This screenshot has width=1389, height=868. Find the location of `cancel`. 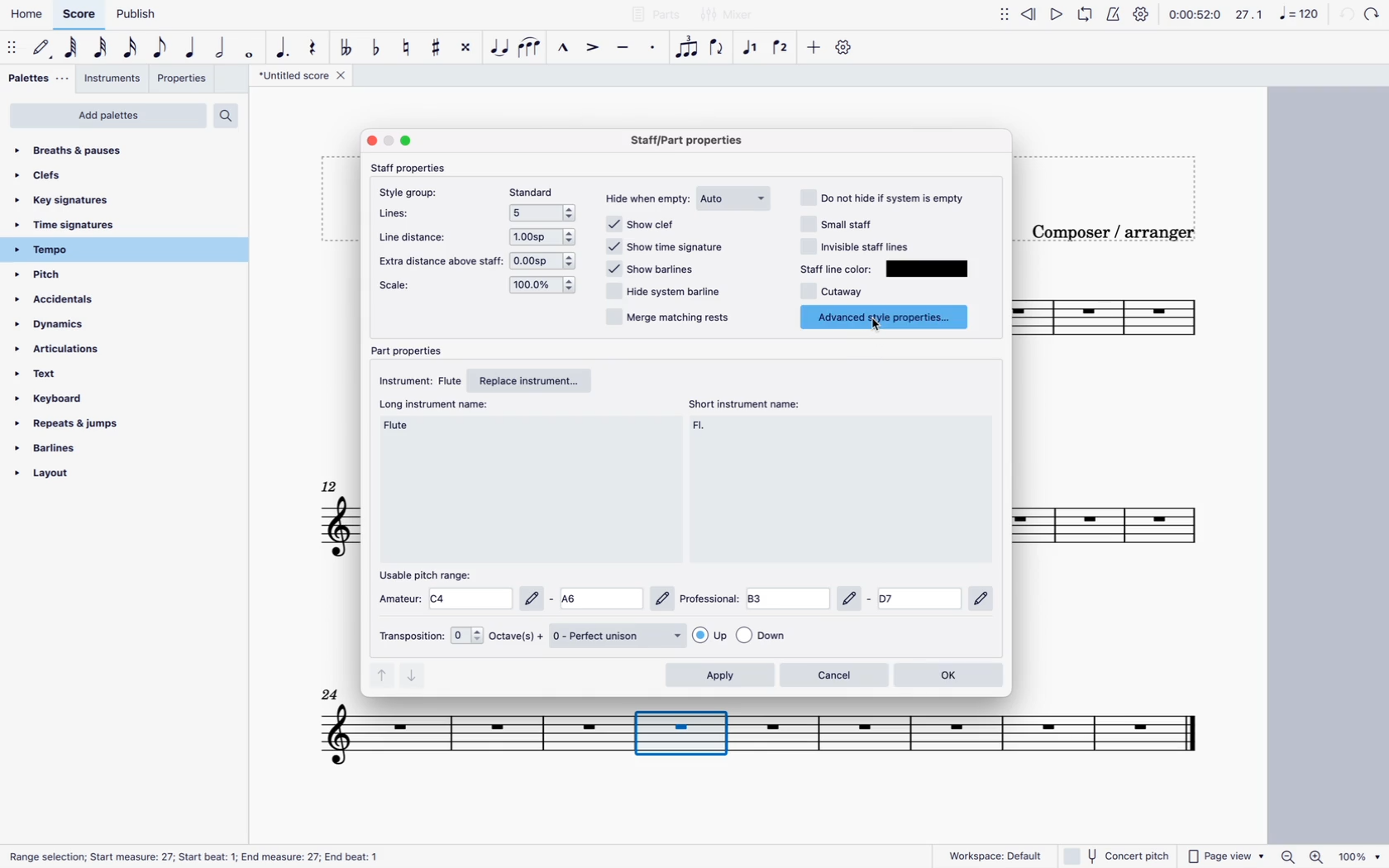

cancel is located at coordinates (833, 674).